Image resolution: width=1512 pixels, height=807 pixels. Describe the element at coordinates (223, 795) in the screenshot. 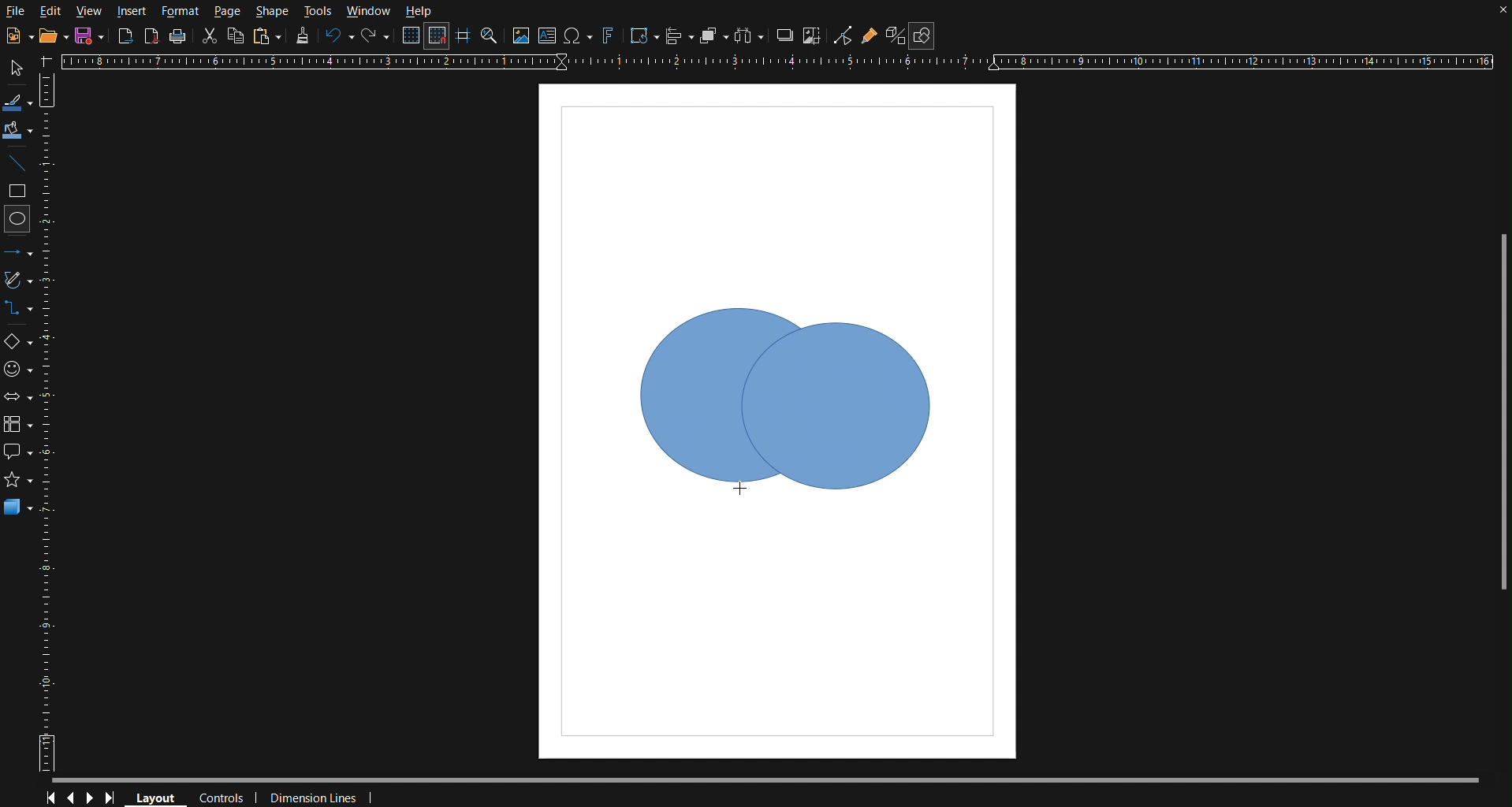

I see `Controls` at that location.